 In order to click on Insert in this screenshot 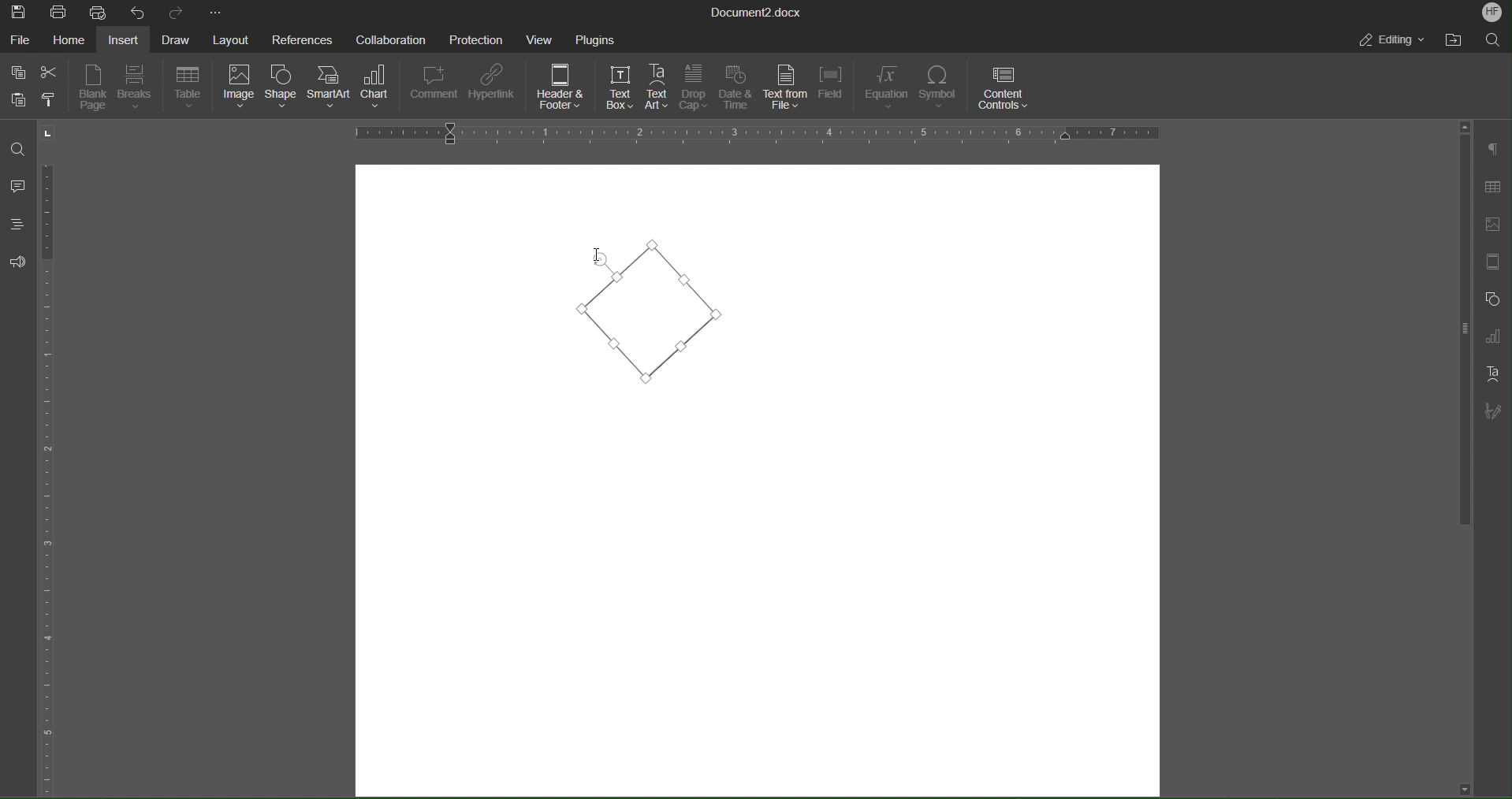, I will do `click(125, 39)`.